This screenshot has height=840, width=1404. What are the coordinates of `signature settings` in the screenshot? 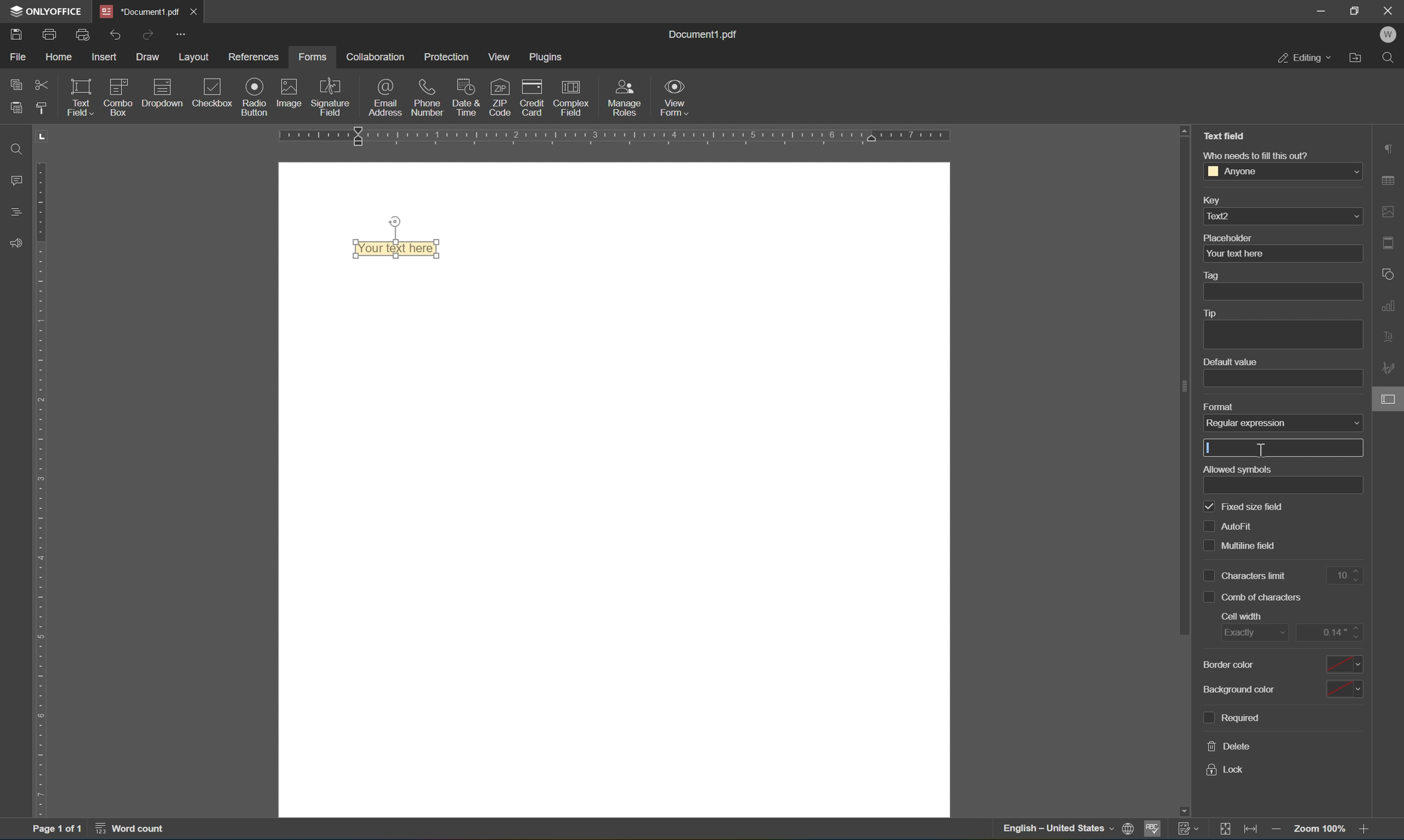 It's located at (1388, 365).